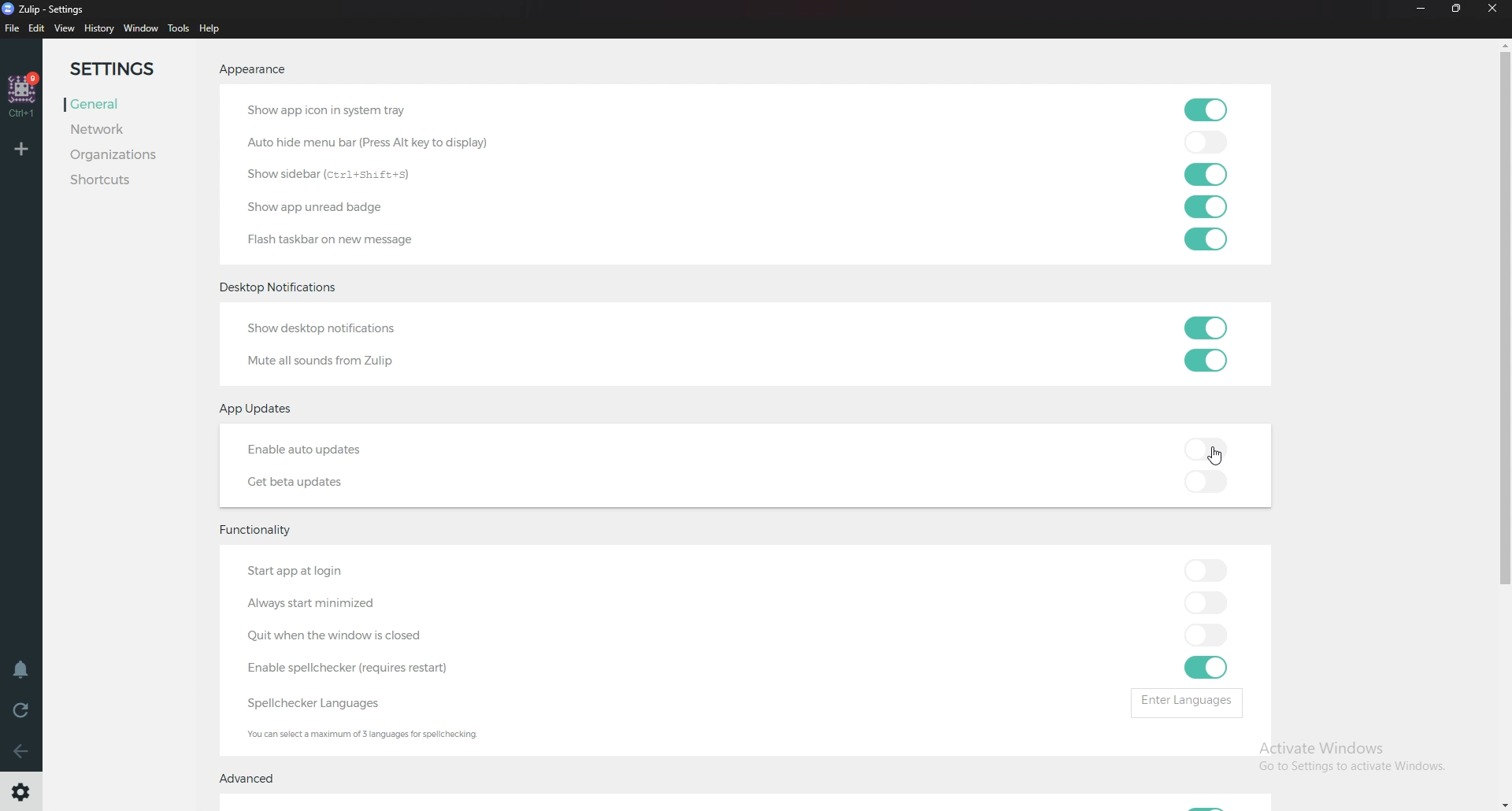  What do you see at coordinates (370, 636) in the screenshot?
I see `Quit when windows closed` at bounding box center [370, 636].